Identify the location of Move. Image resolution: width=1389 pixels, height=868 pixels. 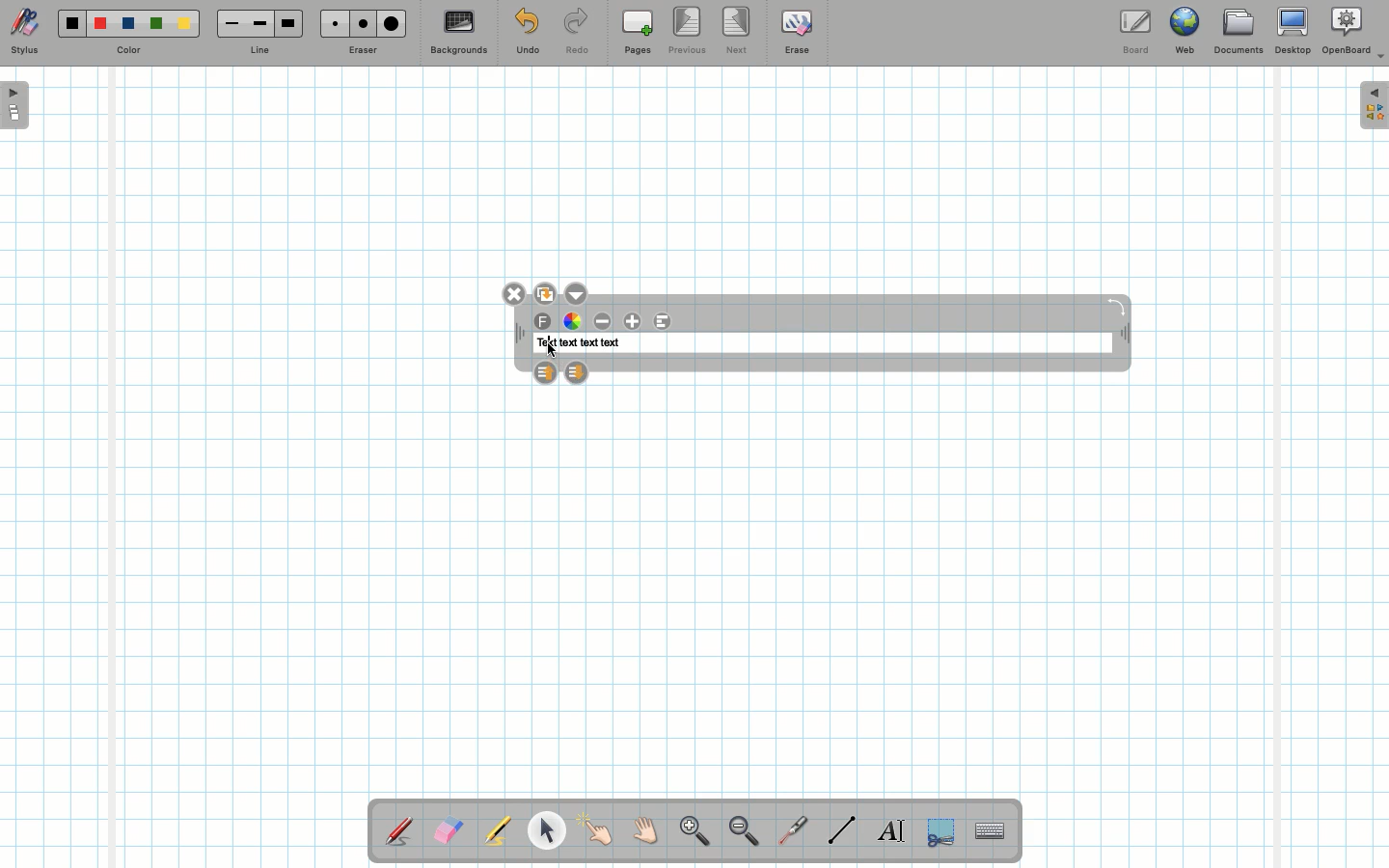
(1123, 336).